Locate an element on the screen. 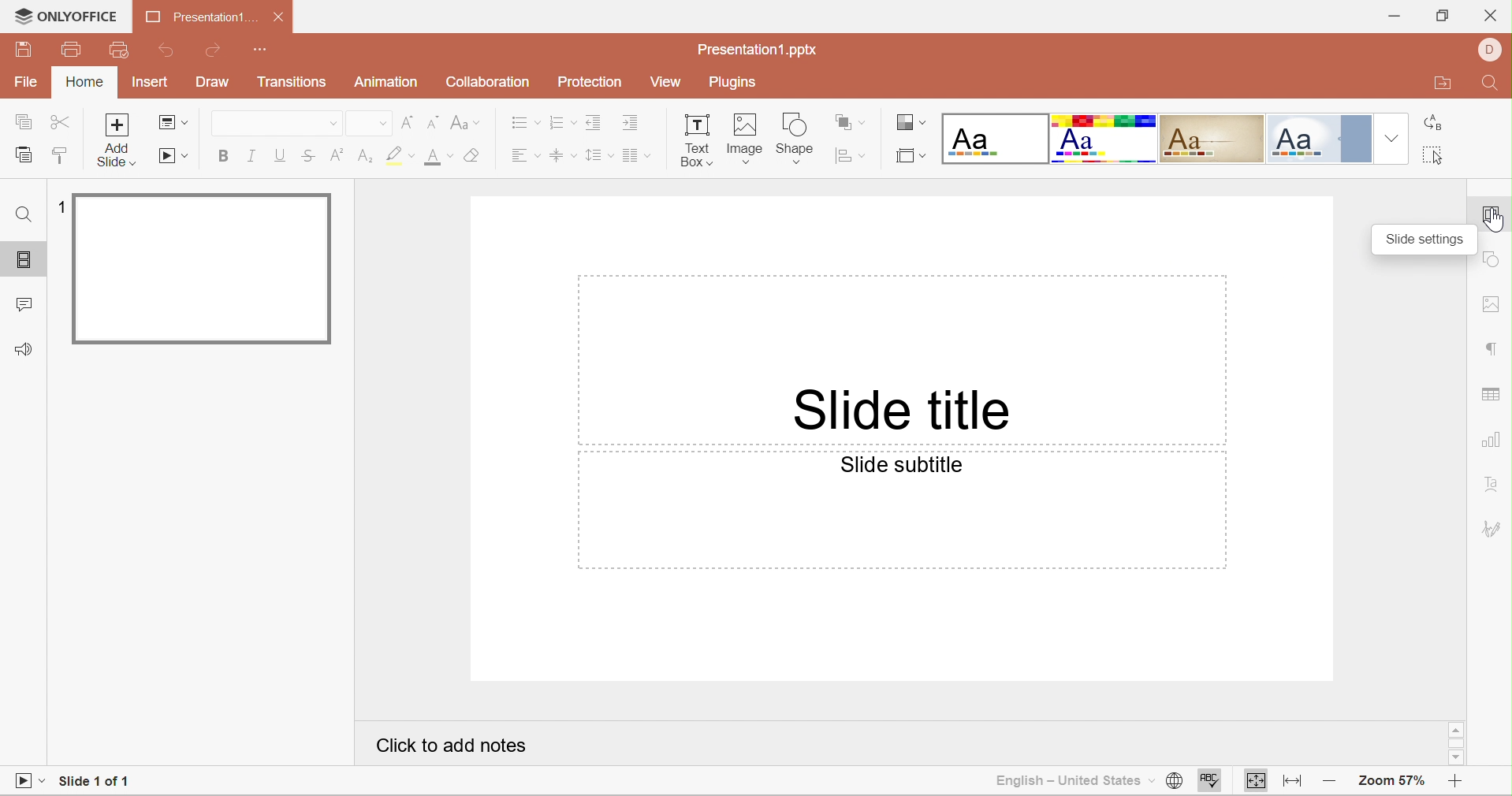 The height and width of the screenshot is (796, 1512). File is located at coordinates (31, 84).